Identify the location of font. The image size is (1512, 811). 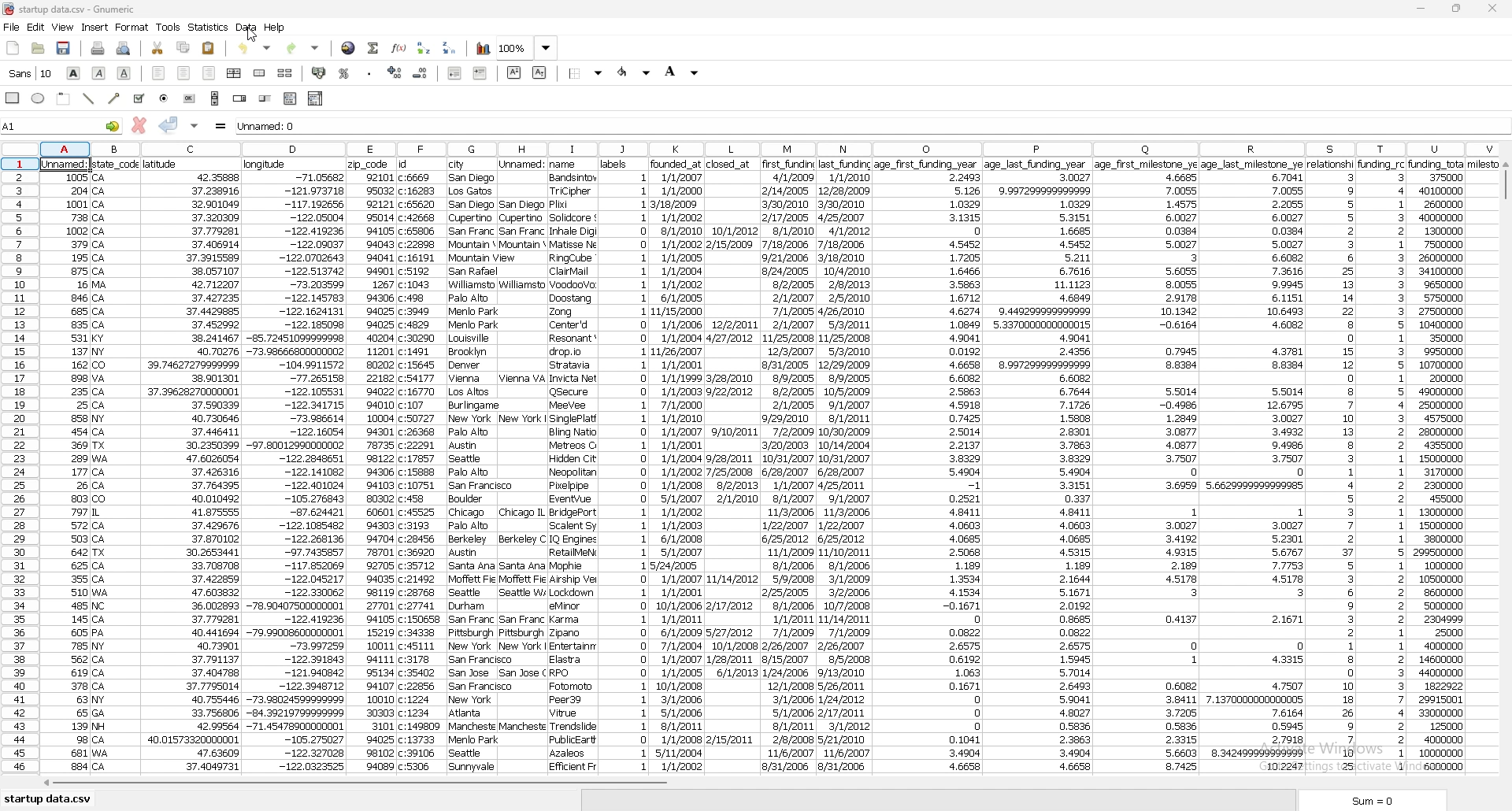
(31, 73).